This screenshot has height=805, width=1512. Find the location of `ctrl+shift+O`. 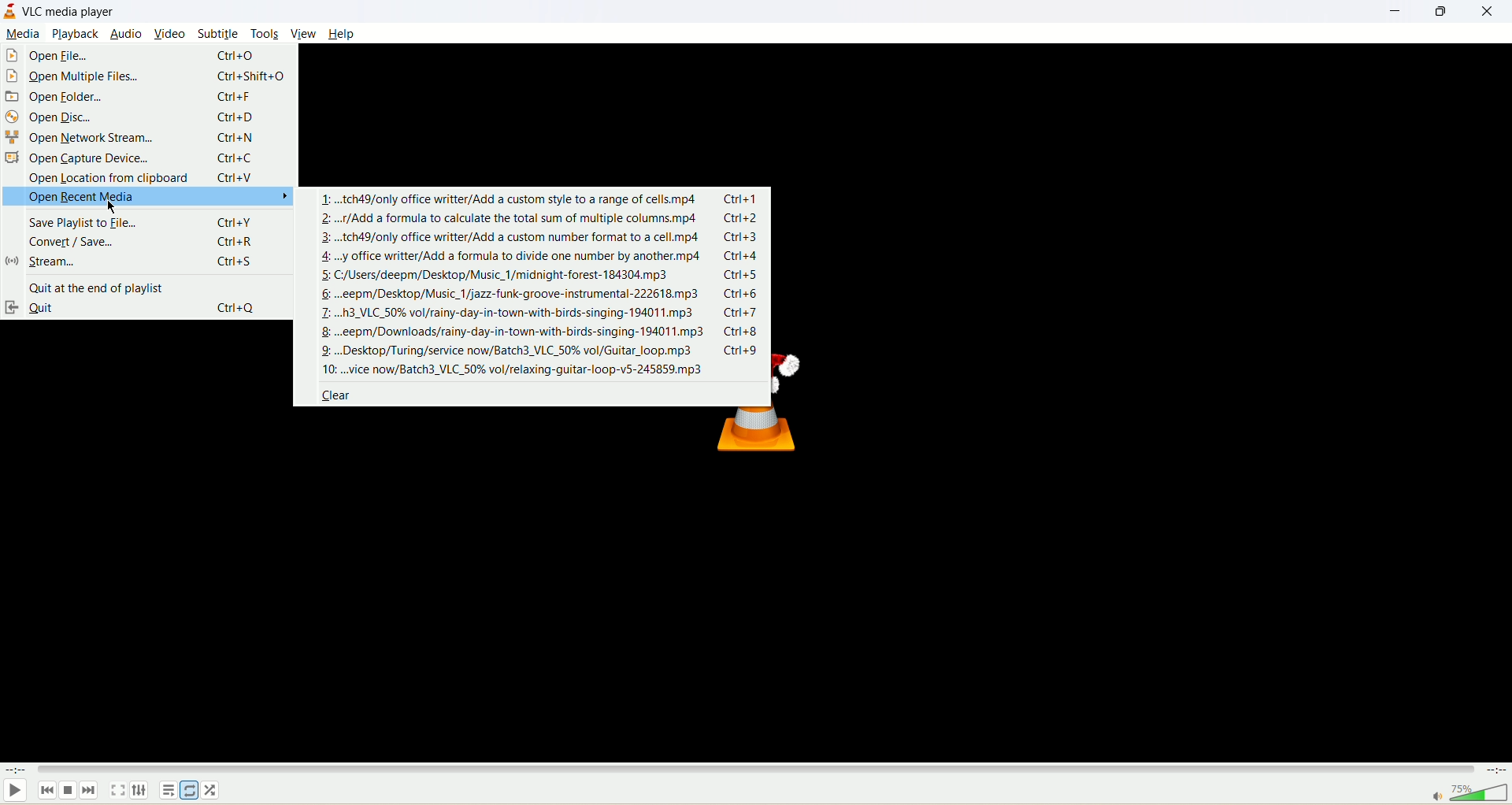

ctrl+shift+O is located at coordinates (252, 78).